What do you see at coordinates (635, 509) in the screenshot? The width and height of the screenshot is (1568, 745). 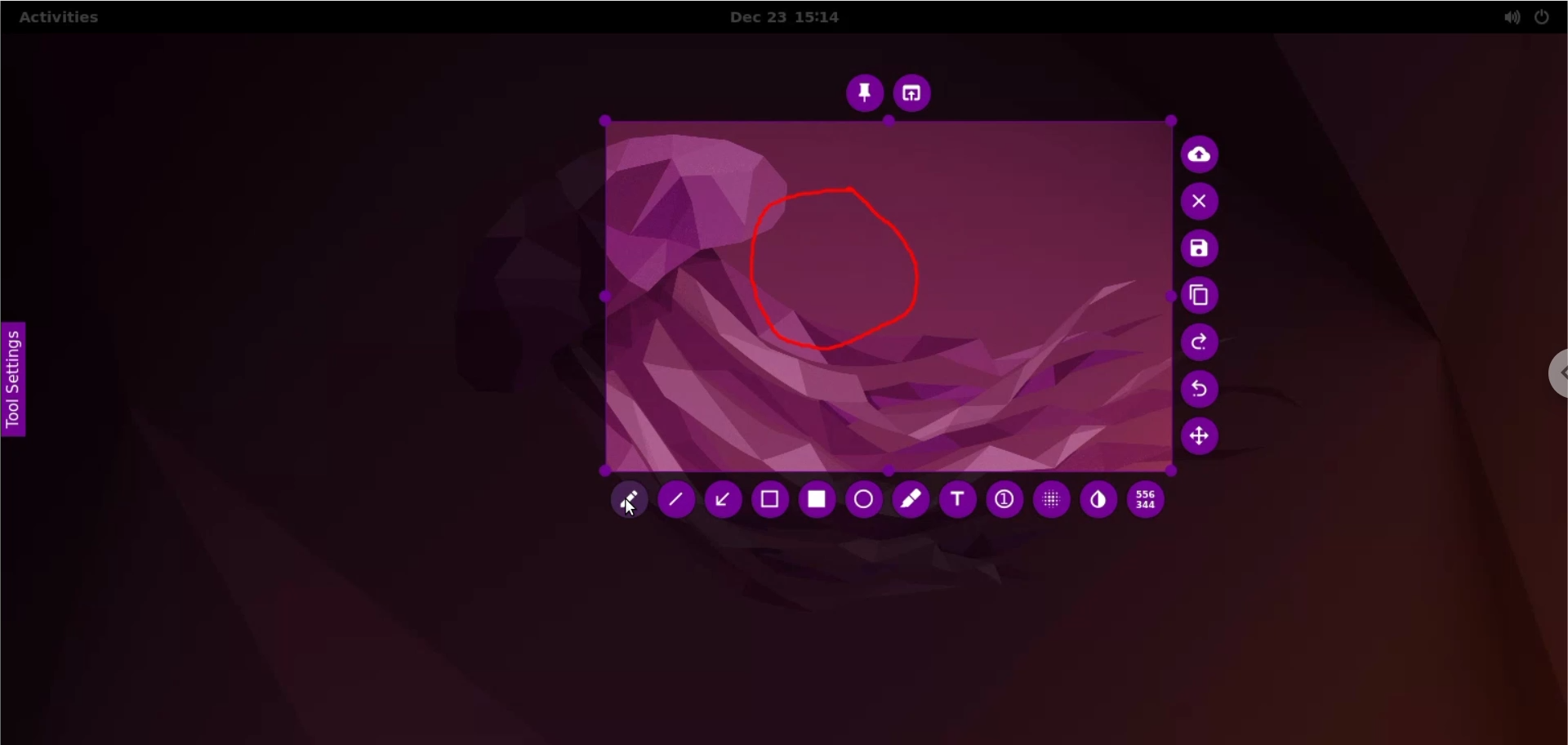 I see `cursor` at bounding box center [635, 509].